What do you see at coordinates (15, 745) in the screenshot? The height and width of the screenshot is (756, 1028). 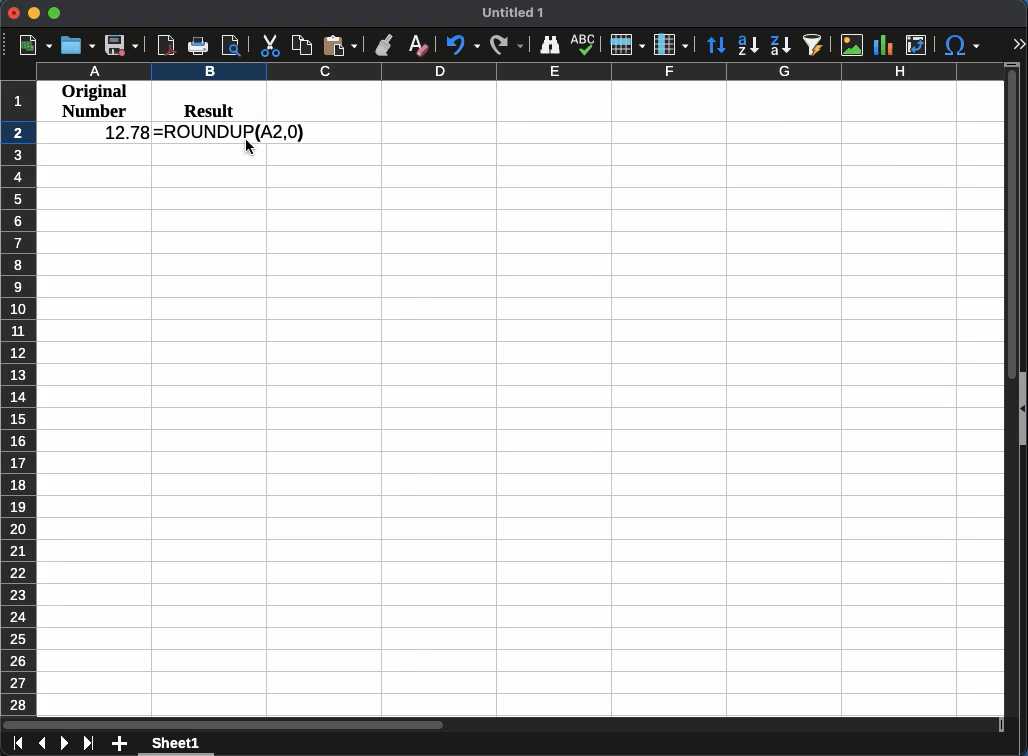 I see `first sheet` at bounding box center [15, 745].